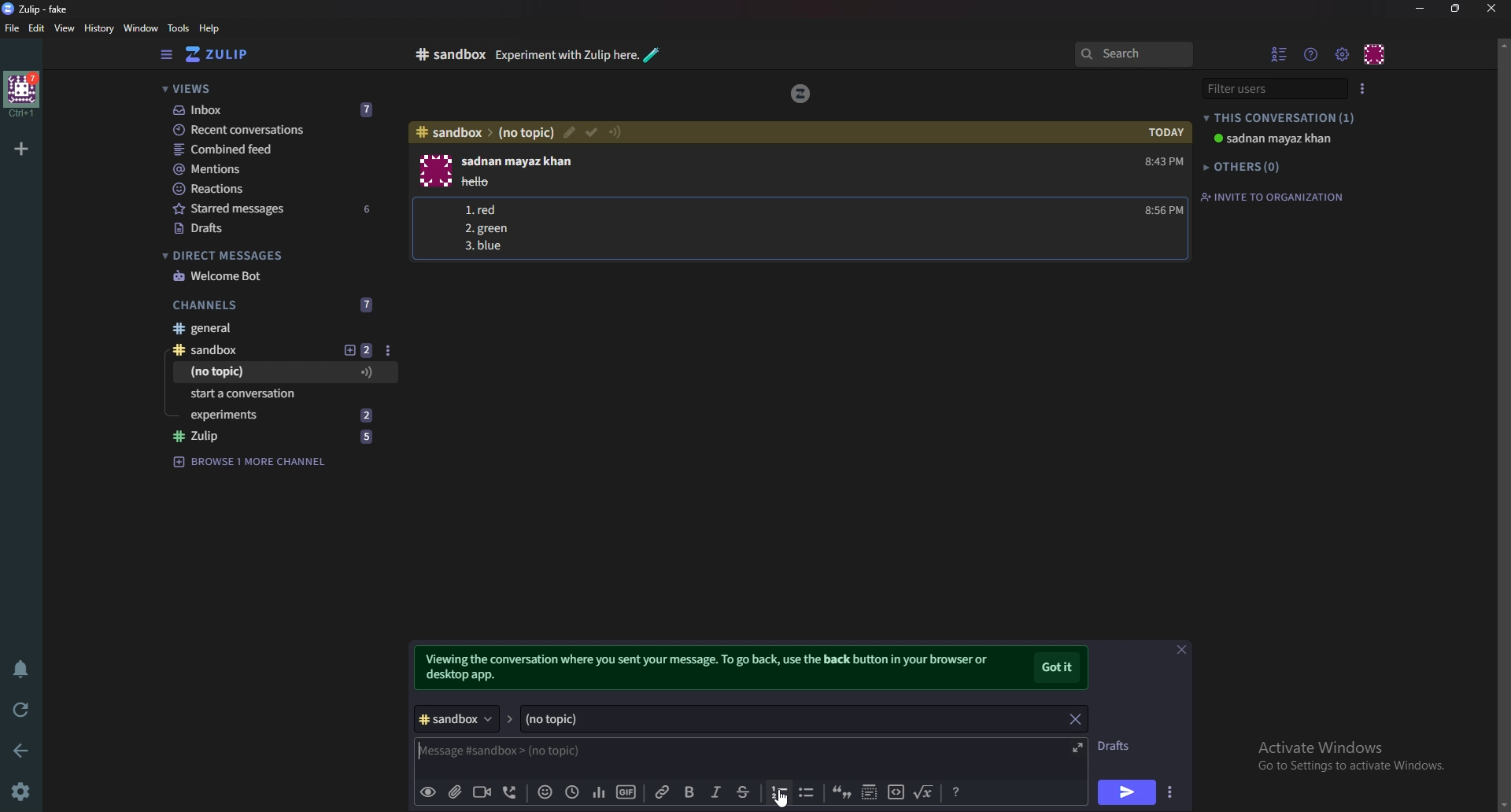  Describe the element at coordinates (1162, 170) in the screenshot. I see `Time` at that location.